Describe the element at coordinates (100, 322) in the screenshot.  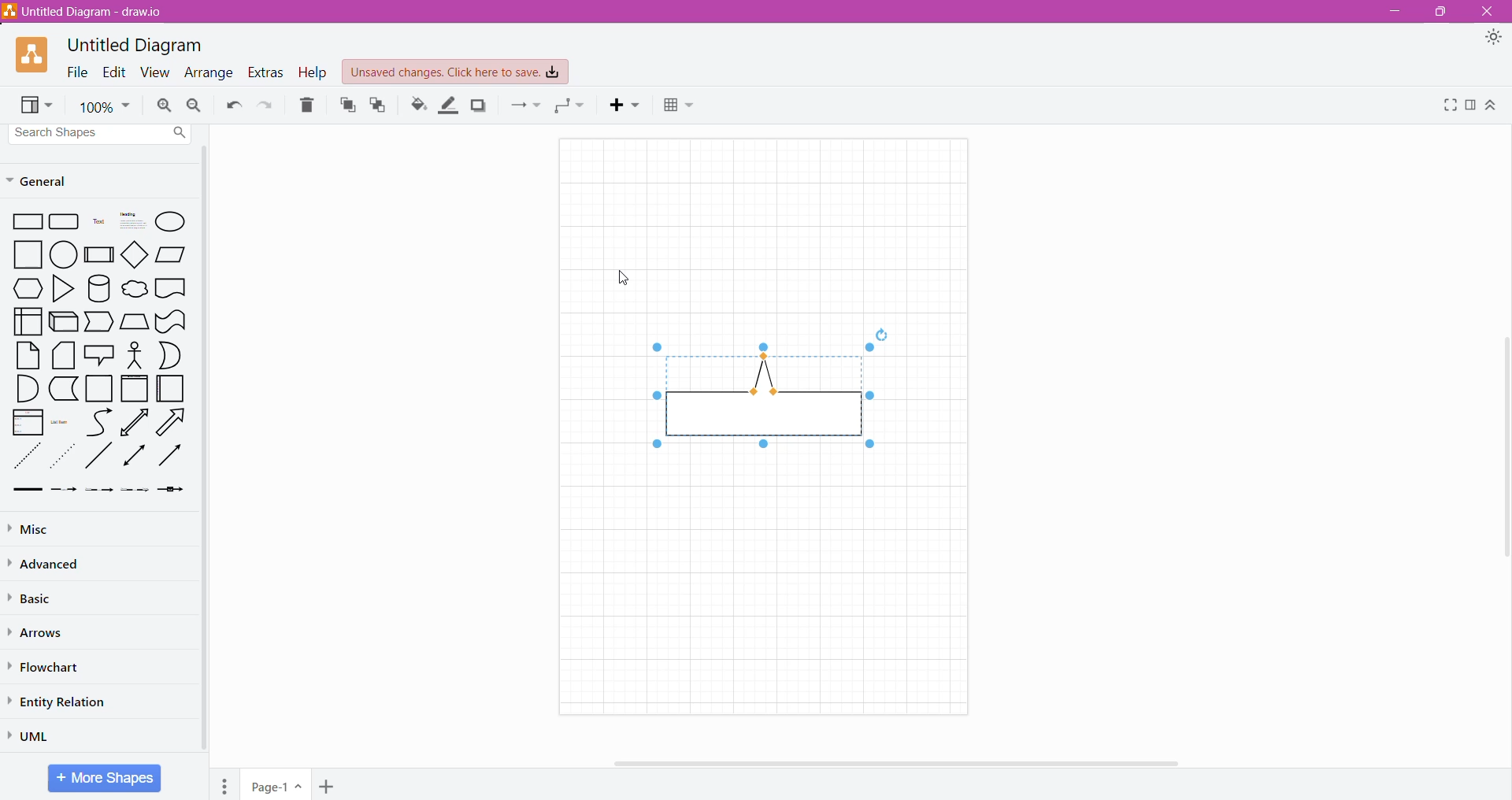
I see `Trapezoid ` at that location.